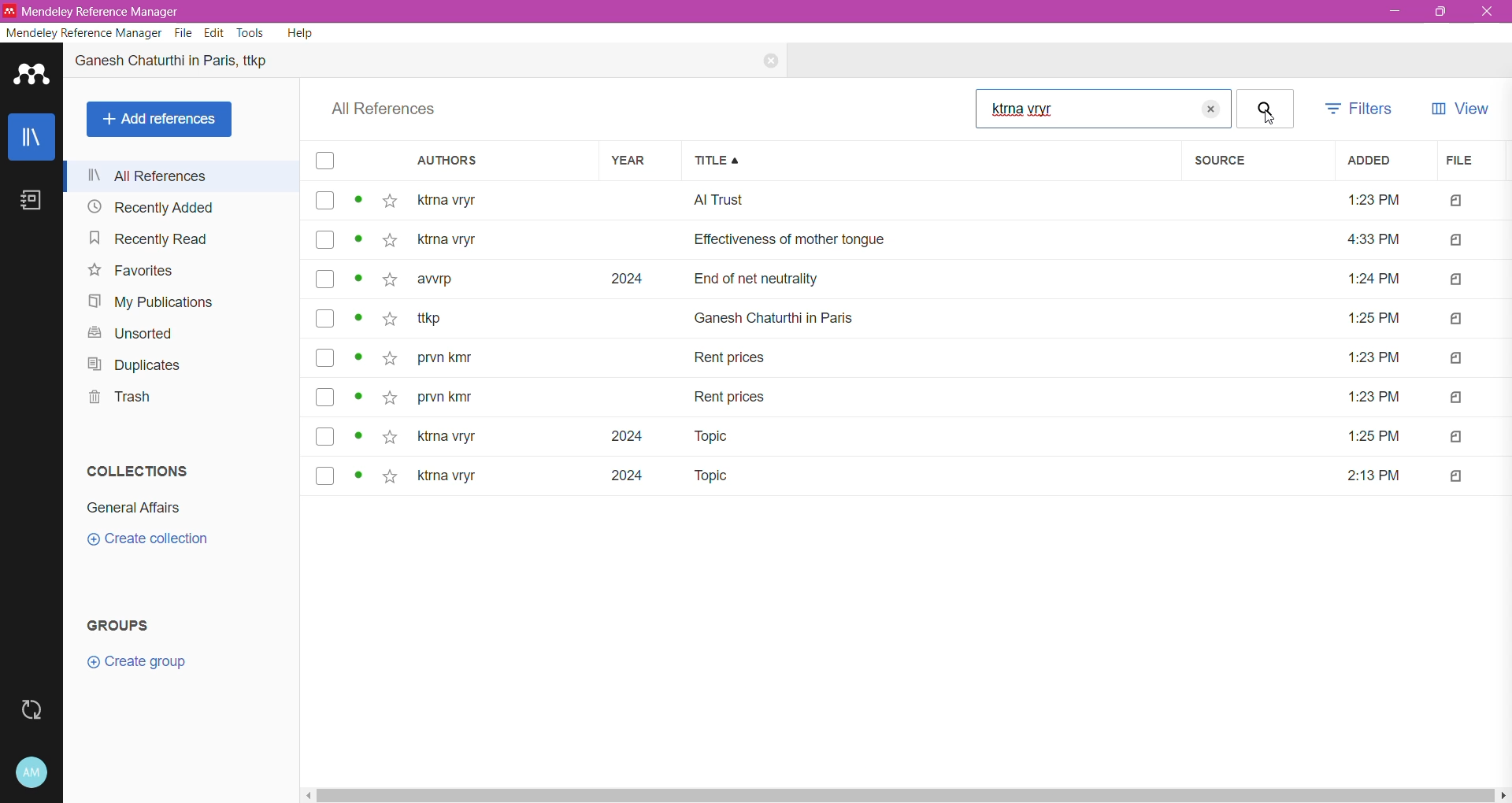 The image size is (1512, 803). Describe the element at coordinates (360, 318) in the screenshot. I see `view status` at that location.